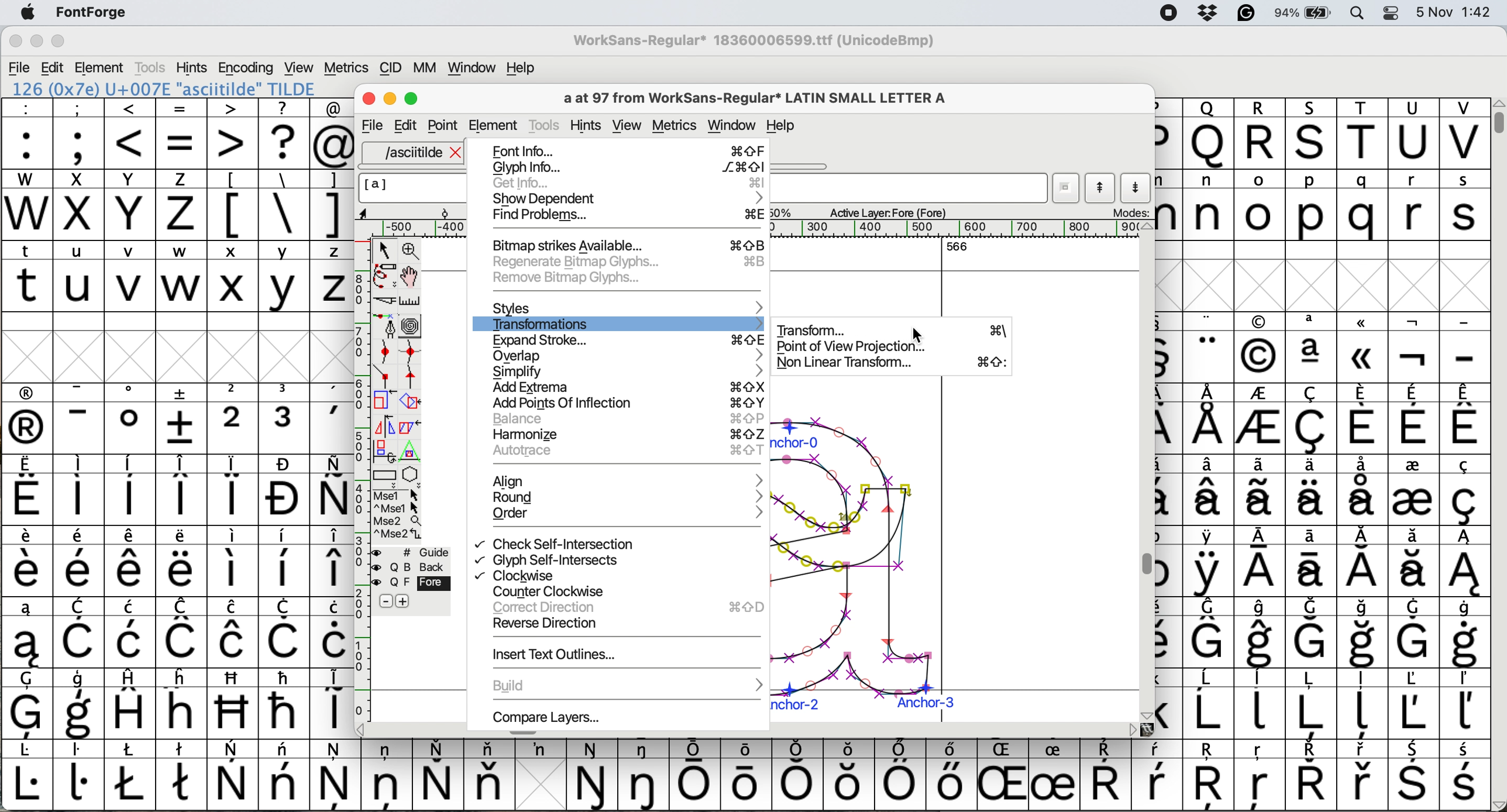 This screenshot has height=812, width=1507. Describe the element at coordinates (232, 276) in the screenshot. I see `x` at that location.